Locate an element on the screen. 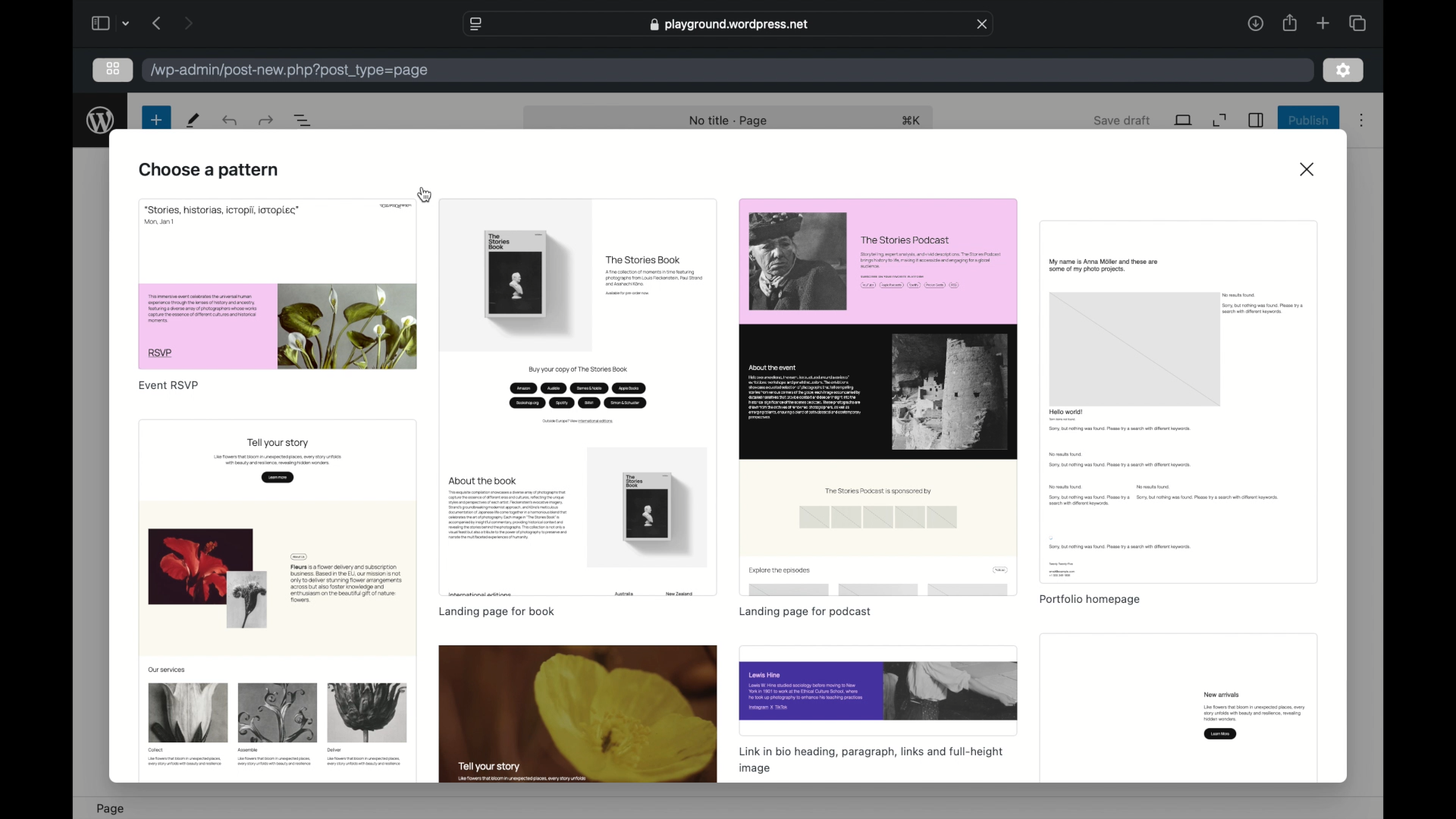 This screenshot has width=1456, height=819. show tab overview is located at coordinates (1357, 23).